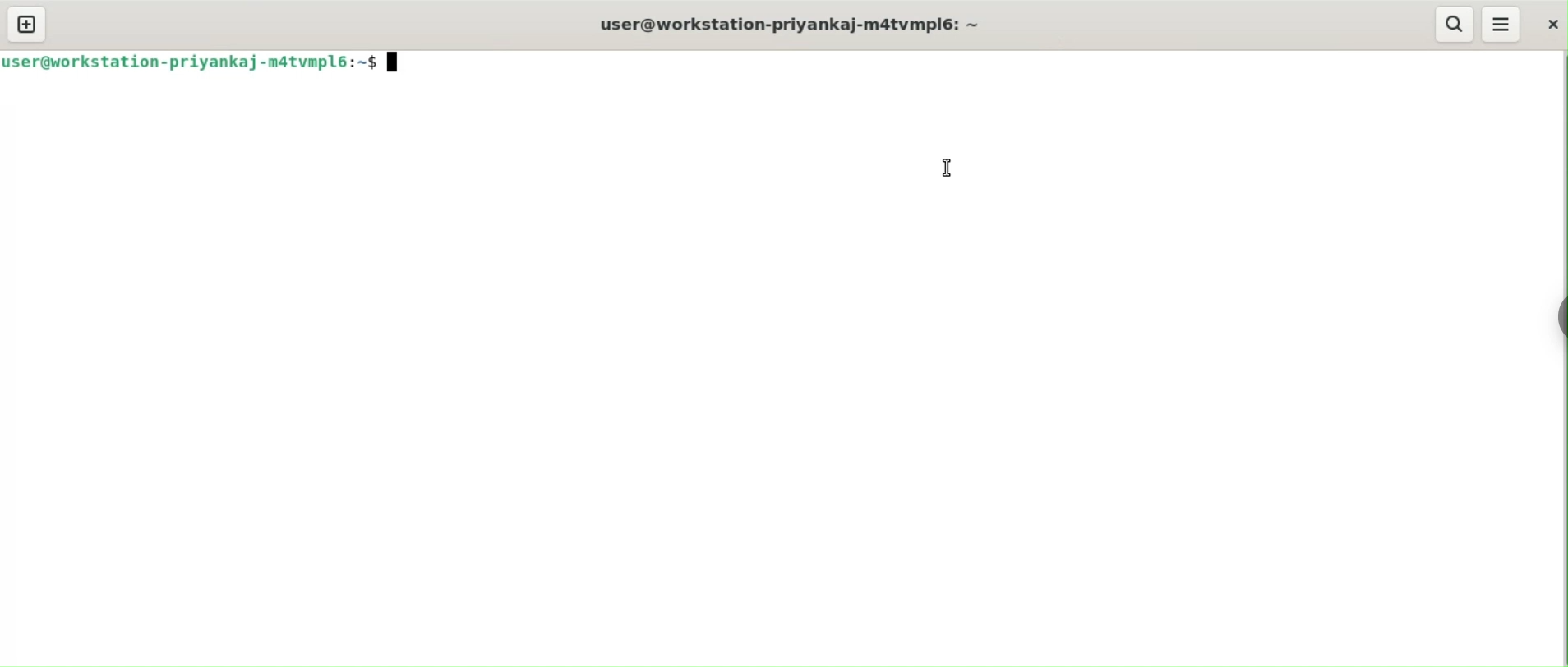 The width and height of the screenshot is (1568, 667). What do you see at coordinates (1502, 25) in the screenshot?
I see `menu` at bounding box center [1502, 25].